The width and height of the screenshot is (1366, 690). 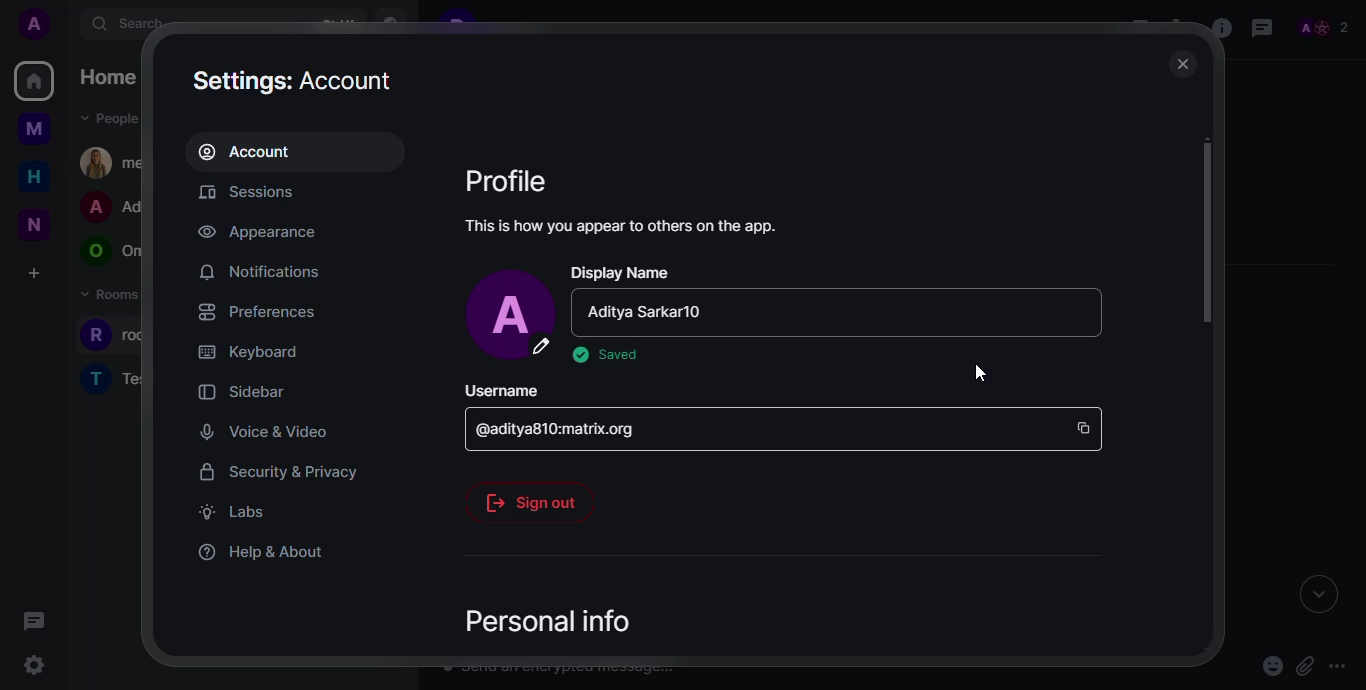 I want to click on info, so click(x=624, y=225).